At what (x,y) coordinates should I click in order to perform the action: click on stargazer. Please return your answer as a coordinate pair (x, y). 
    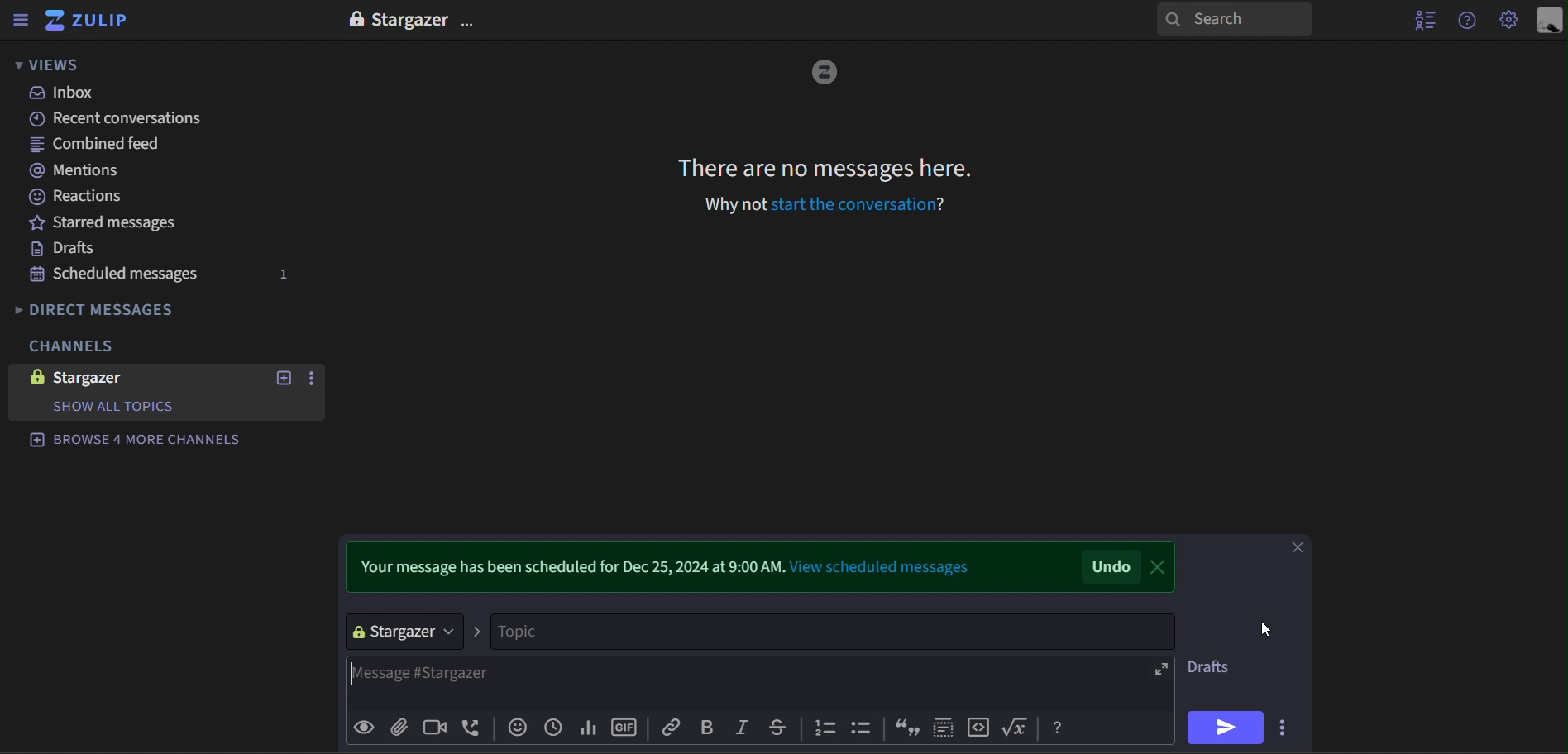
    Looking at the image, I should click on (406, 631).